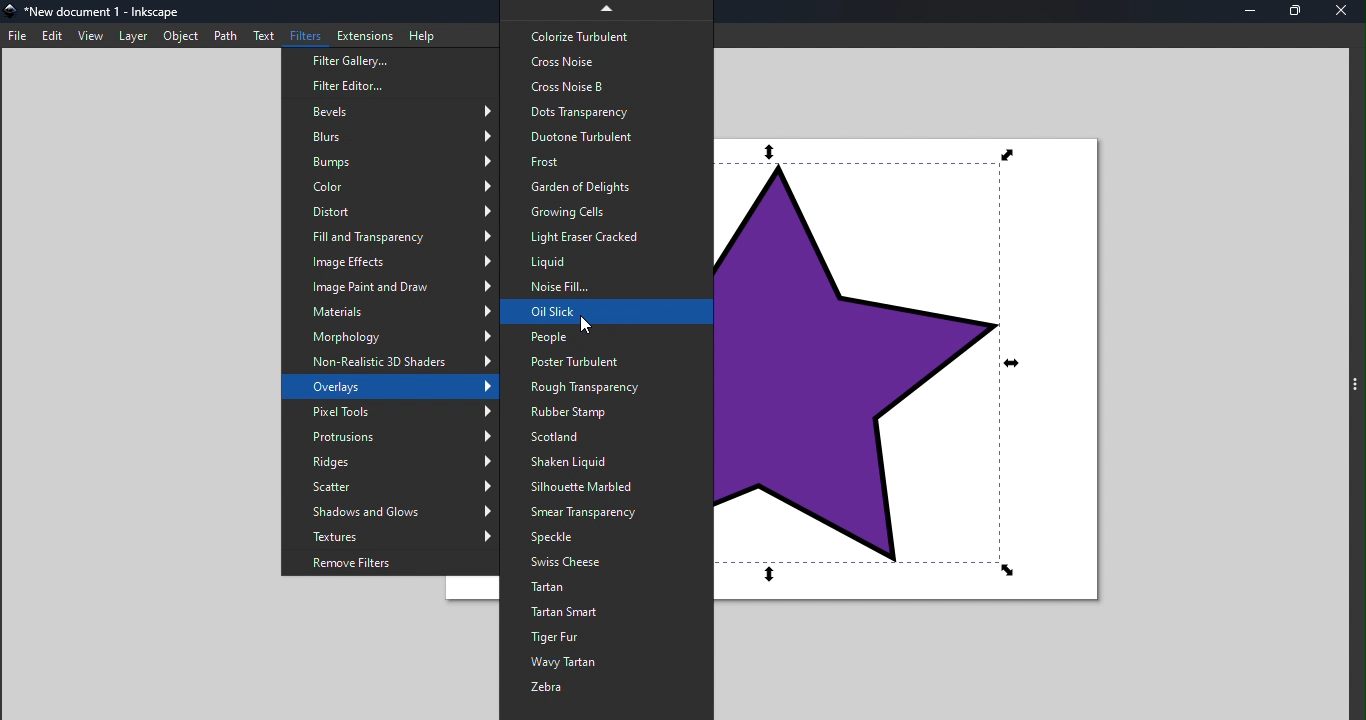  Describe the element at coordinates (603, 33) in the screenshot. I see `Colorize turbulent` at that location.